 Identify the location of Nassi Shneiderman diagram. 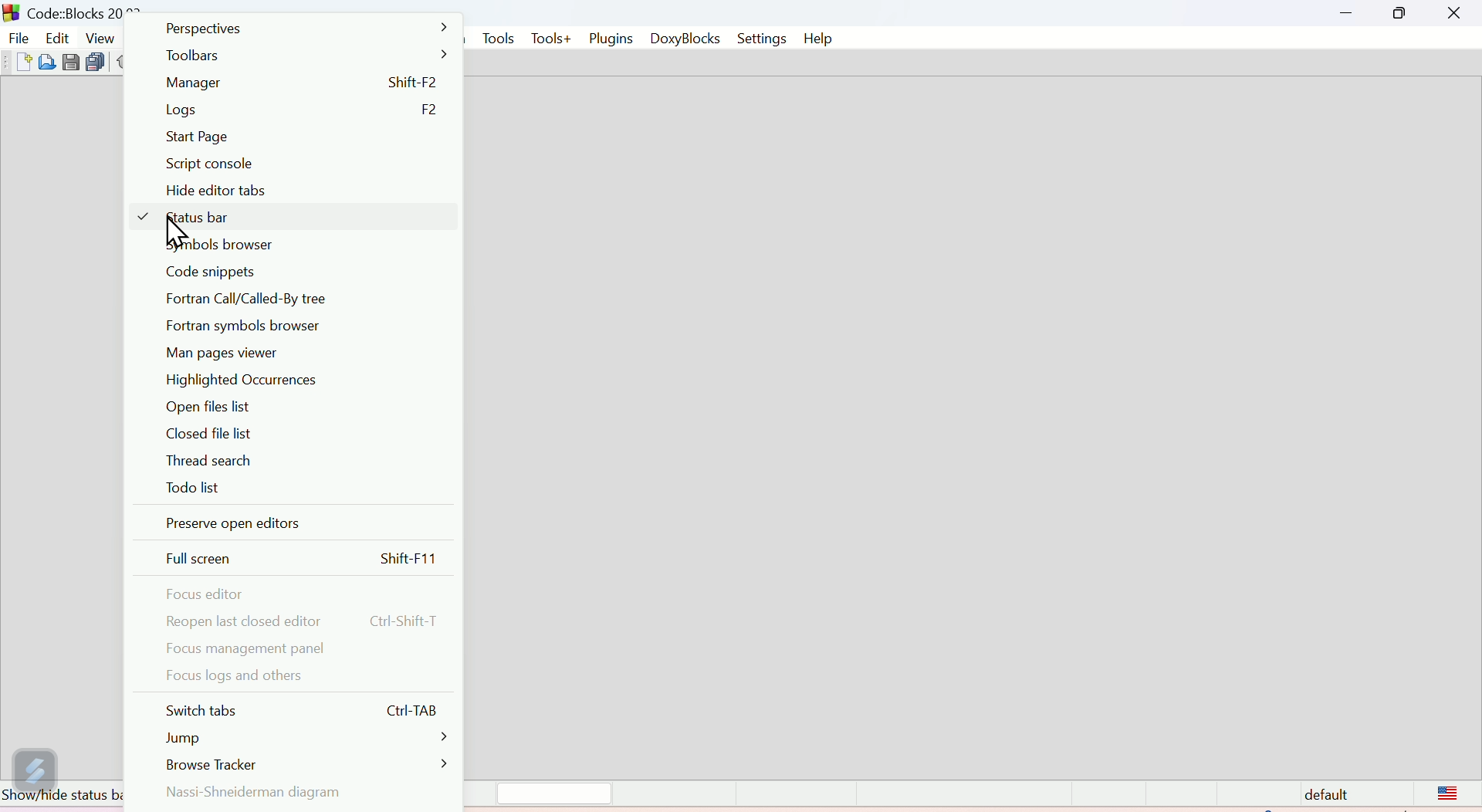
(271, 790).